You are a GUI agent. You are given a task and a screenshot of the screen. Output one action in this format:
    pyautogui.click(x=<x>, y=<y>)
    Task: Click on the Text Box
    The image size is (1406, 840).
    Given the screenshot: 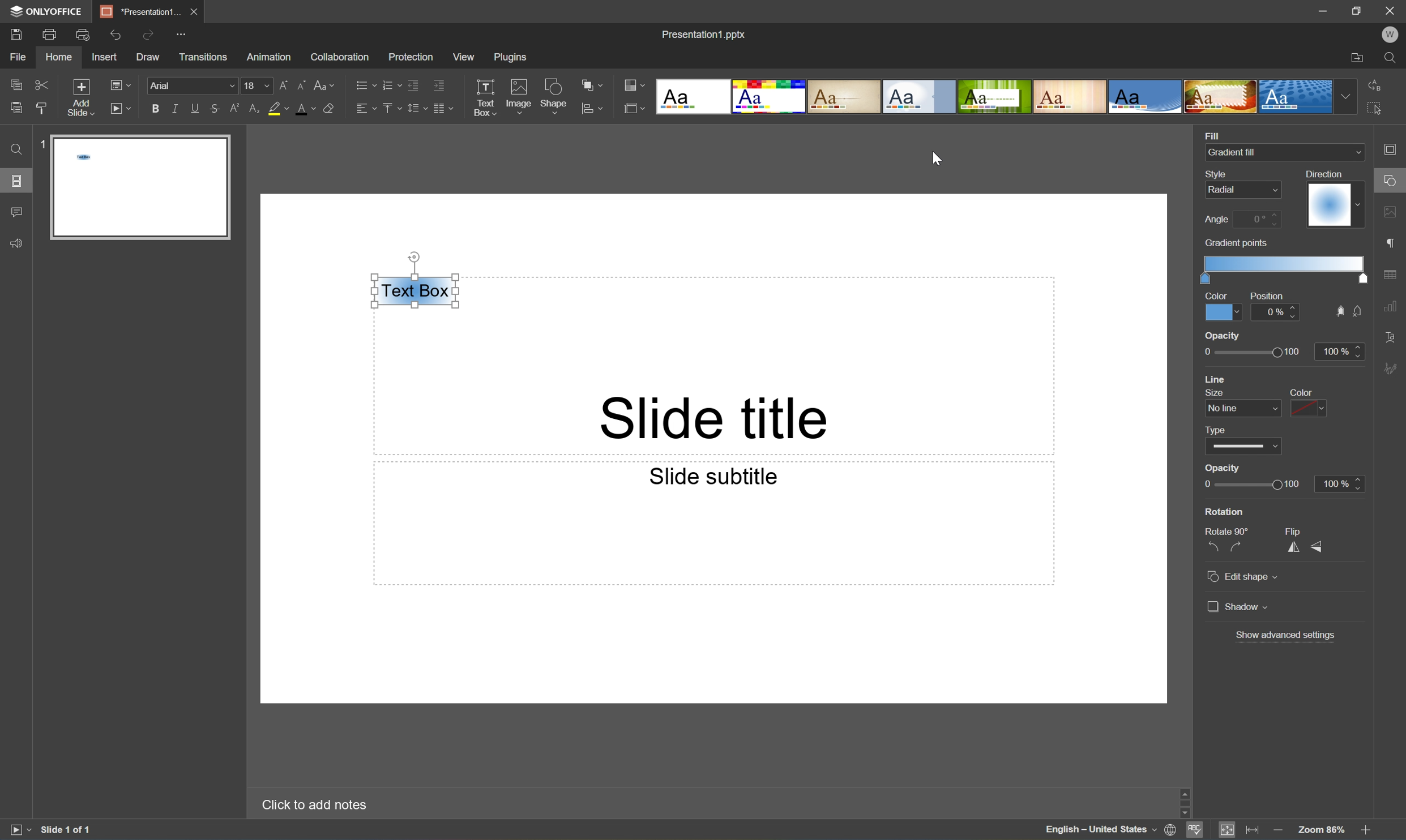 What is the action you would take?
    pyautogui.click(x=482, y=97)
    